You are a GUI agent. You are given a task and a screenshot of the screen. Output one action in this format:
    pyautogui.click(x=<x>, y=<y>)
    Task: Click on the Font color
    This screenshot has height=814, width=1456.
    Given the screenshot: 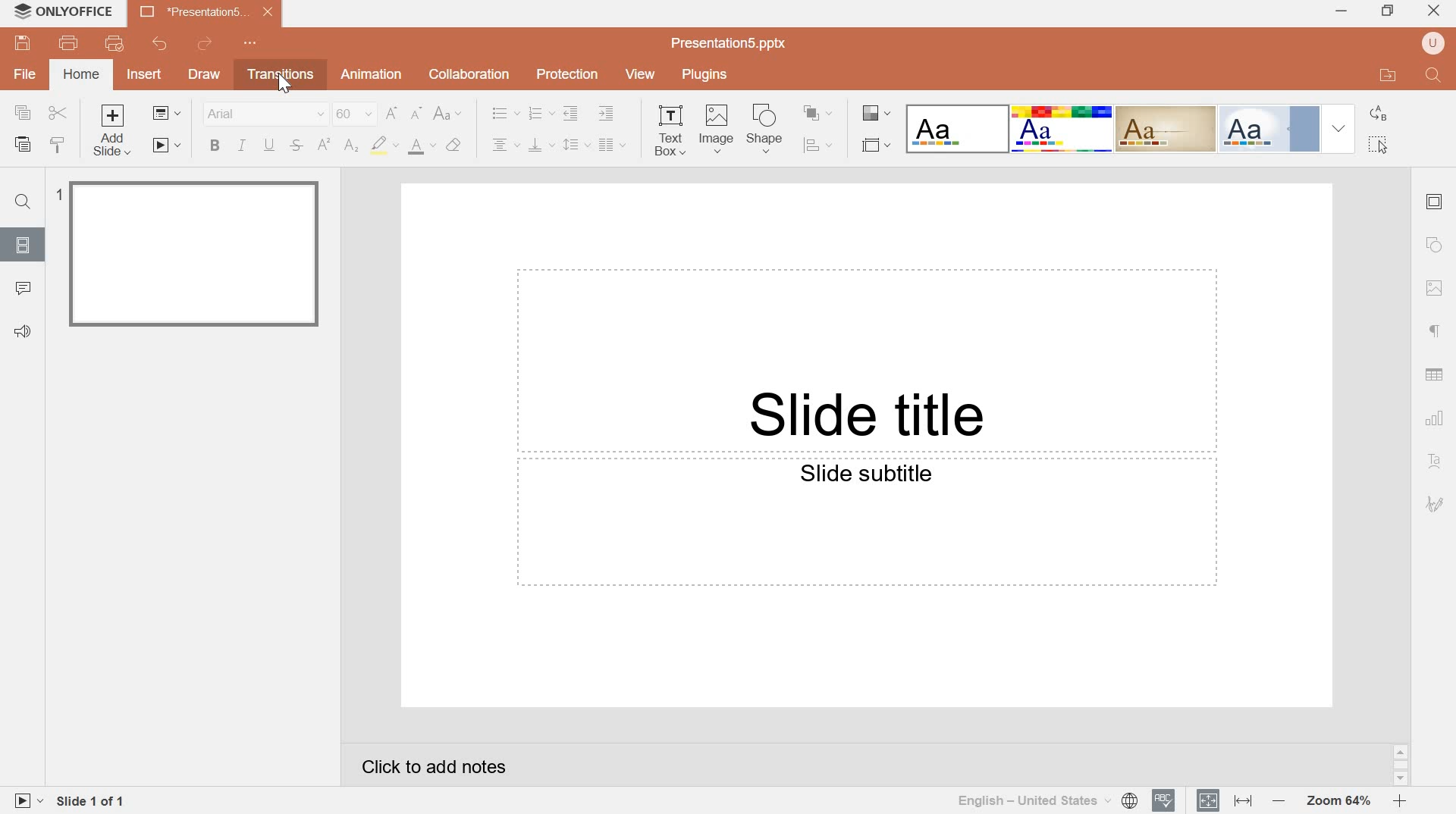 What is the action you would take?
    pyautogui.click(x=385, y=147)
    